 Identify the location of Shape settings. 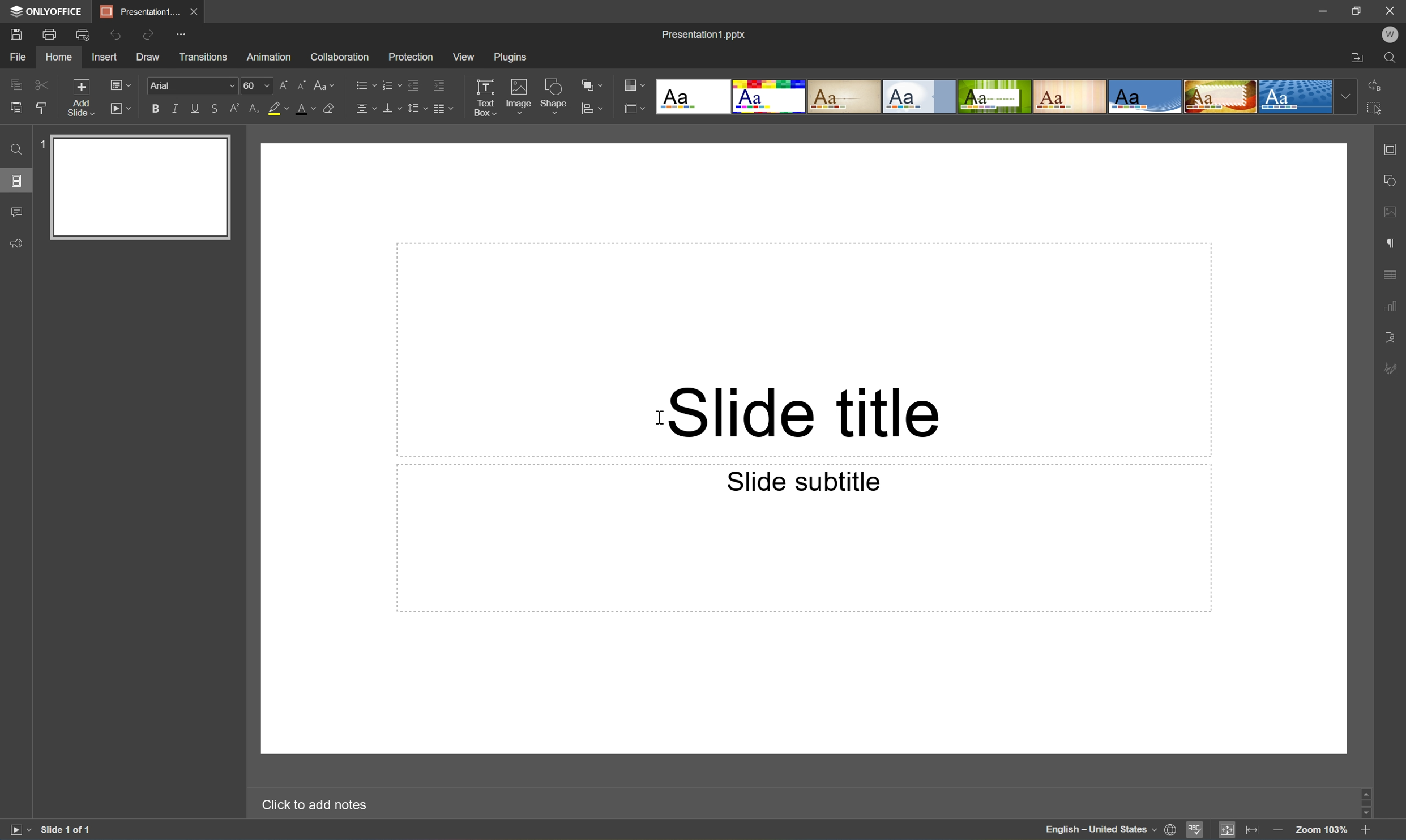
(1390, 179).